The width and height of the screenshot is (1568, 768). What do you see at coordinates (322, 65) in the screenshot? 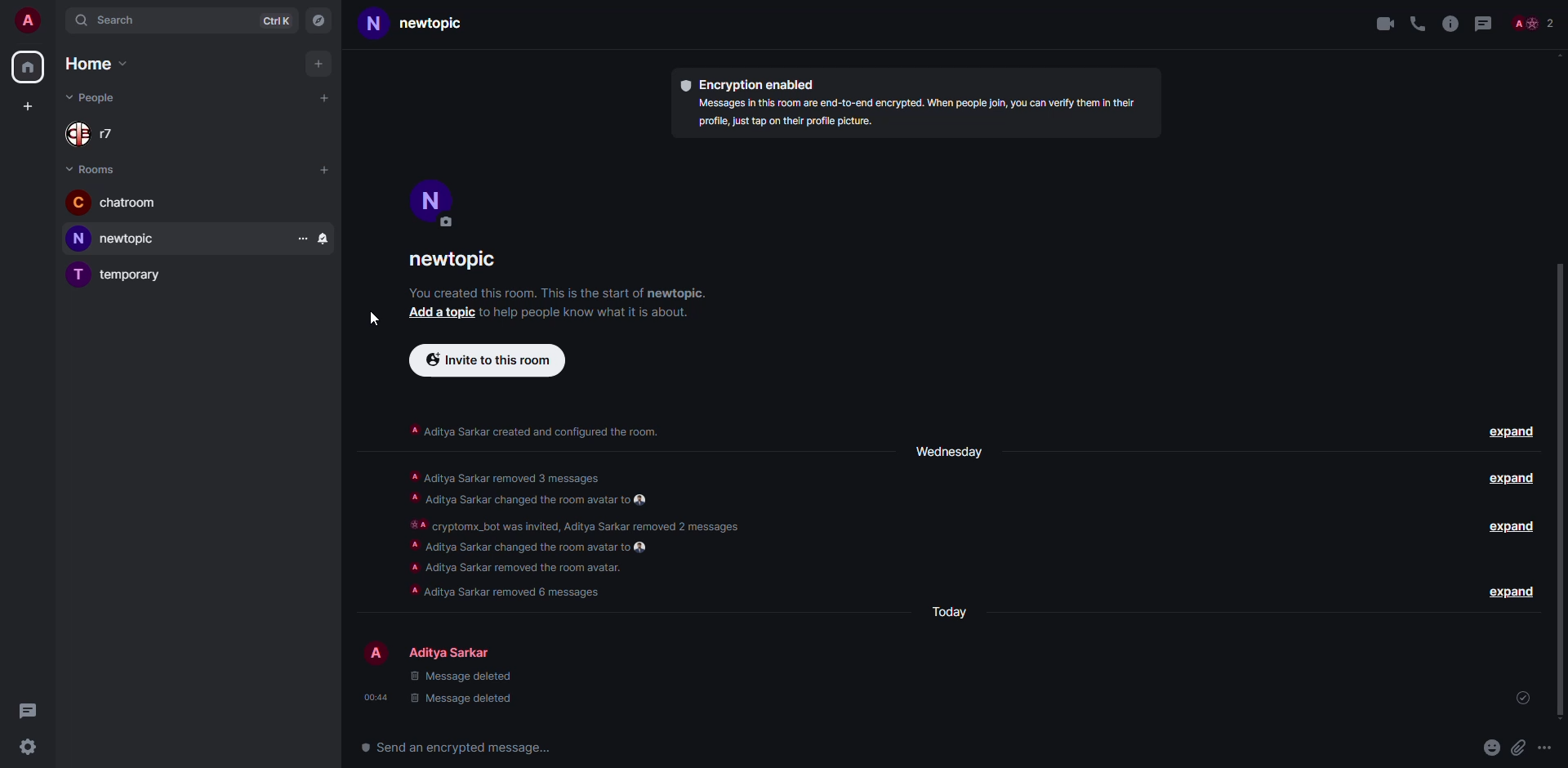
I see `add` at bounding box center [322, 65].